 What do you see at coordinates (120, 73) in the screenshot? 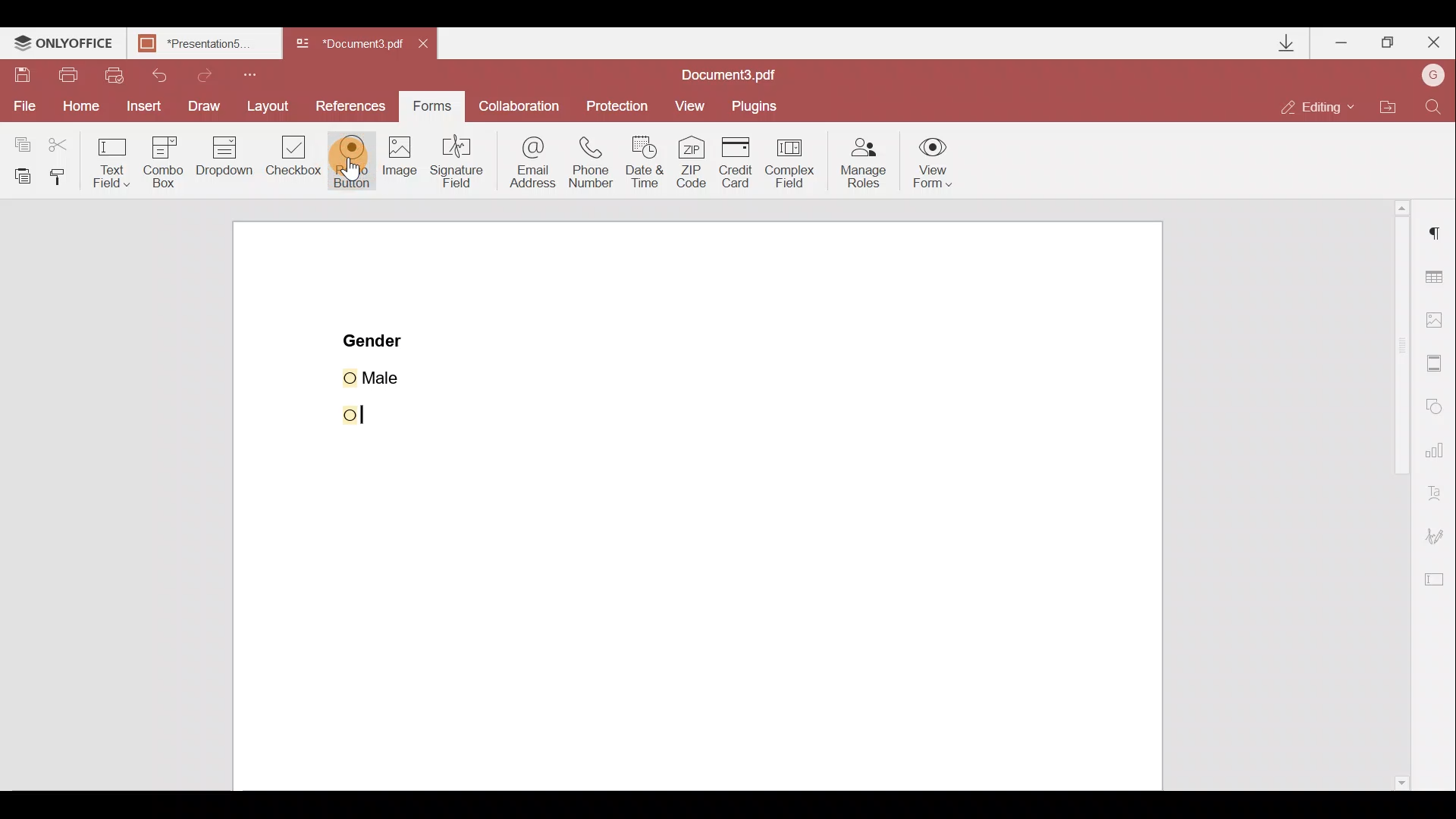
I see `Quick print` at bounding box center [120, 73].